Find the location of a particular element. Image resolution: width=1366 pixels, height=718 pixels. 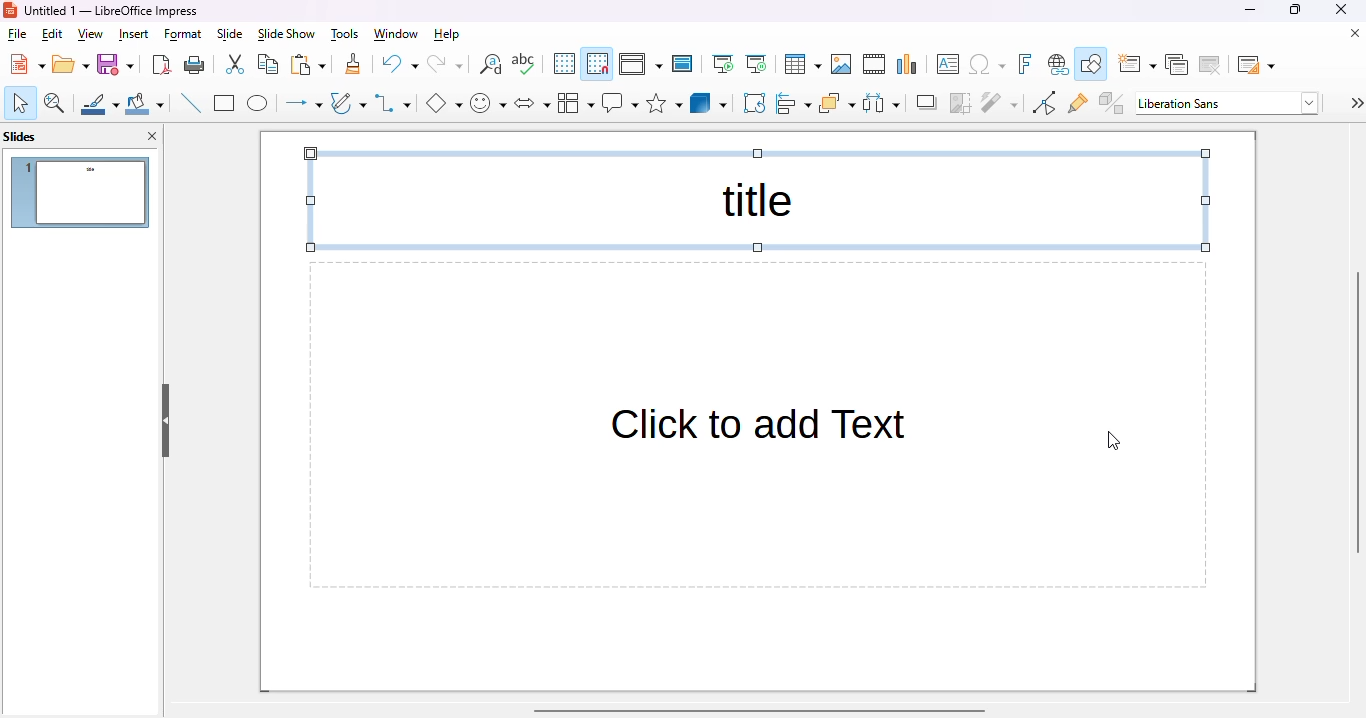

logo is located at coordinates (10, 11).